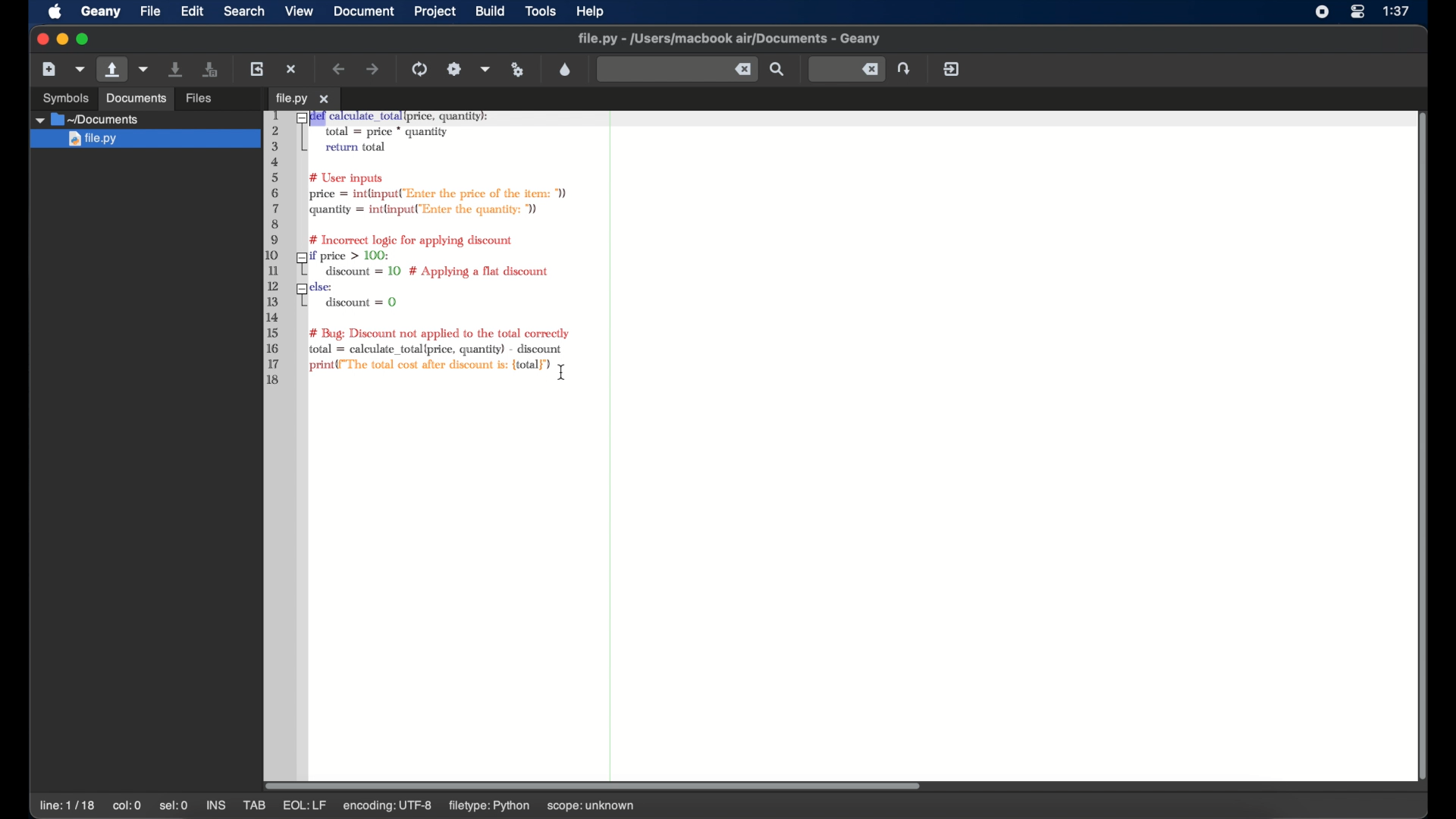  I want to click on close current file, so click(293, 69).